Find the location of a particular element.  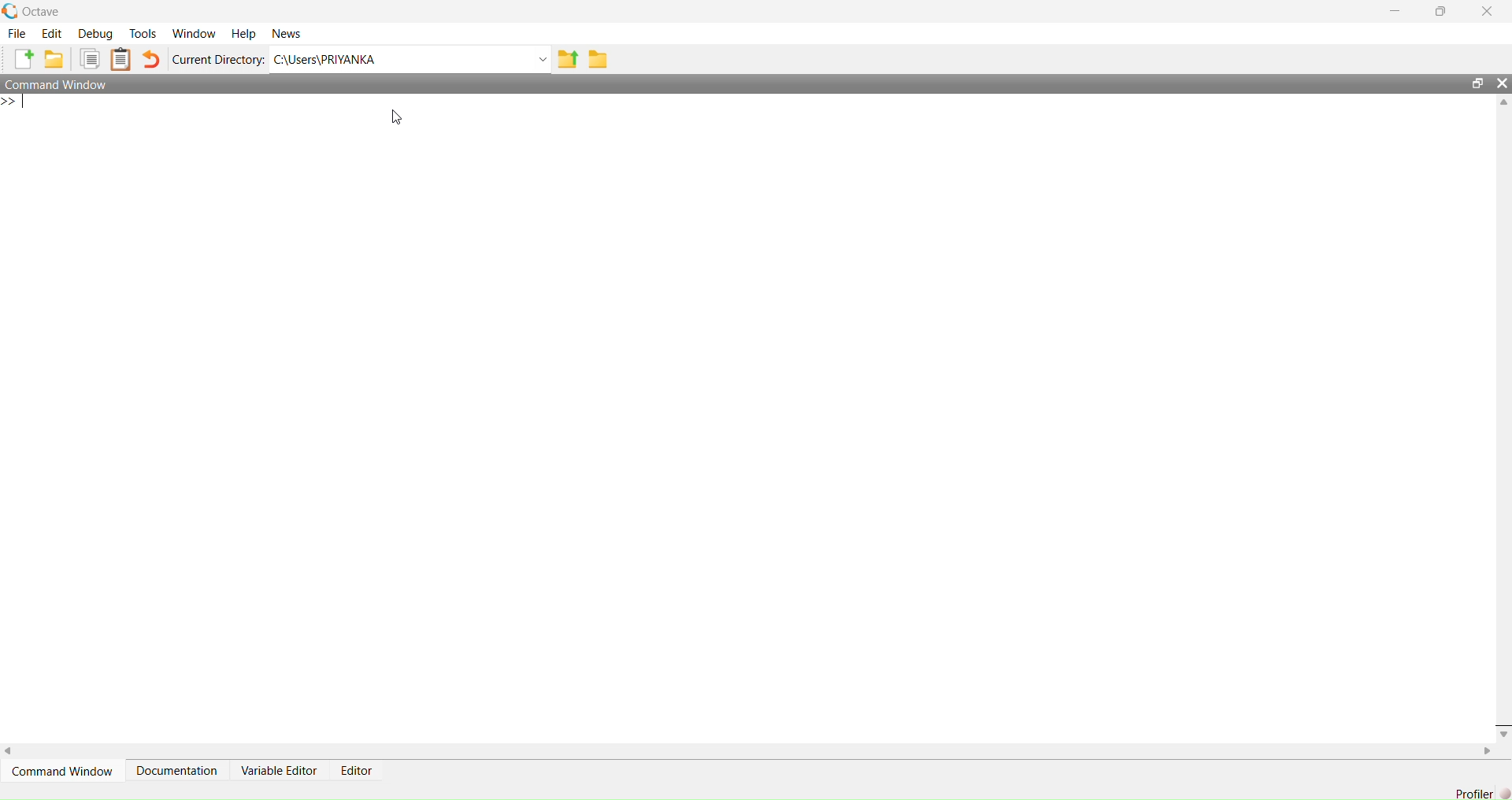

Edit is located at coordinates (56, 35).